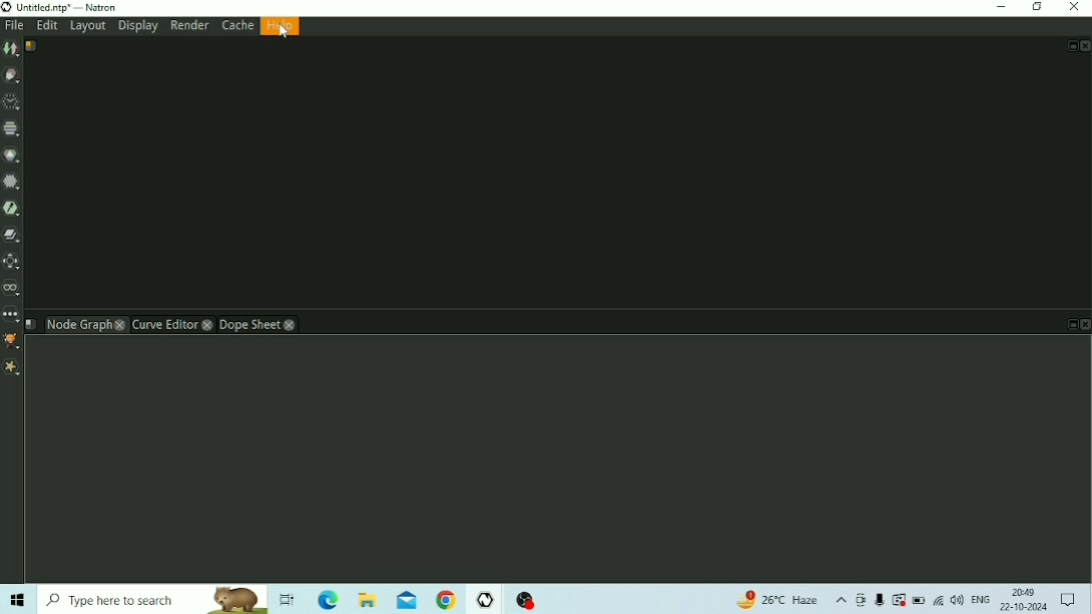  What do you see at coordinates (957, 600) in the screenshot?
I see `Speakers` at bounding box center [957, 600].